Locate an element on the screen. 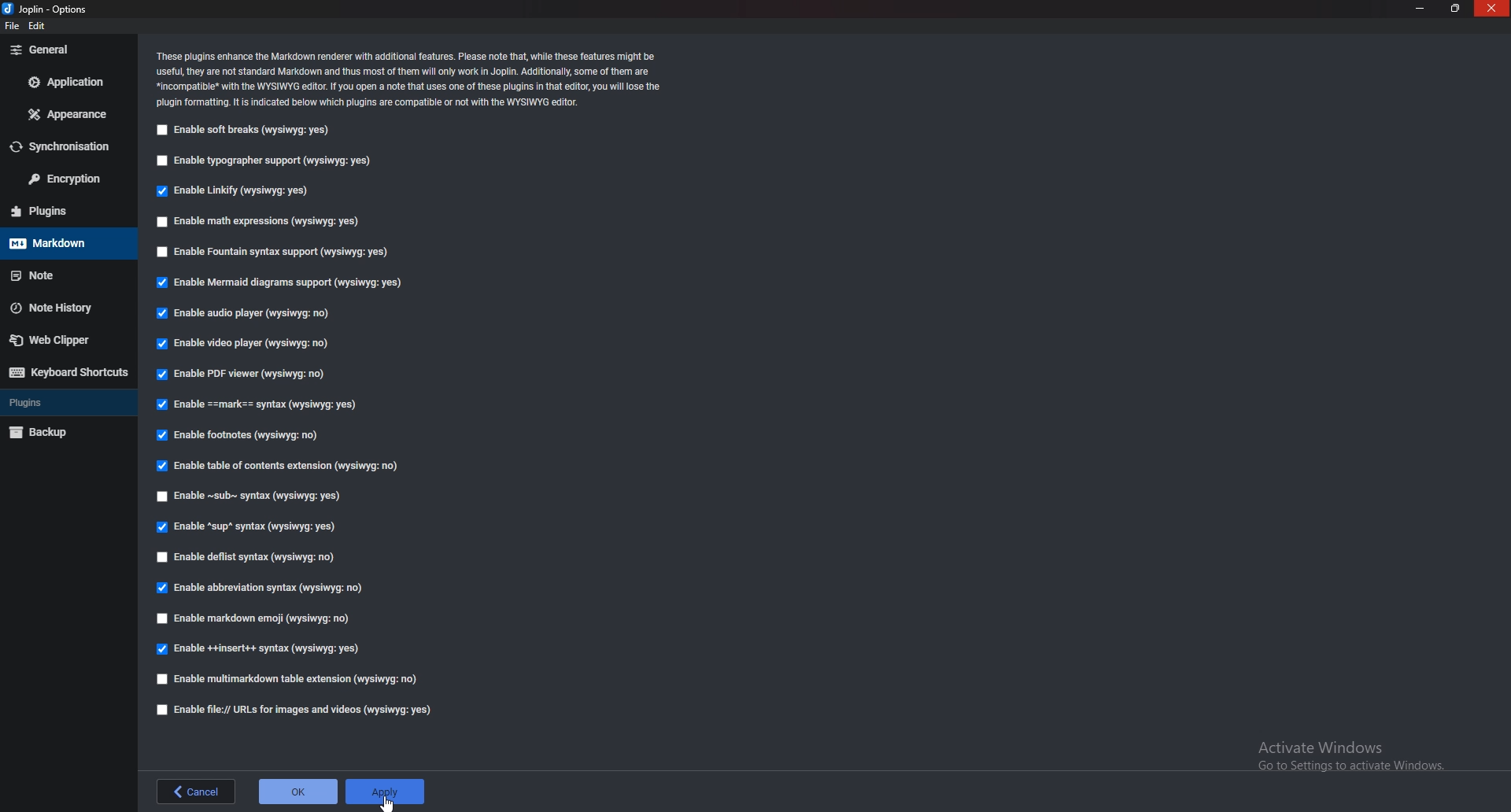  Plugins is located at coordinates (65, 403).